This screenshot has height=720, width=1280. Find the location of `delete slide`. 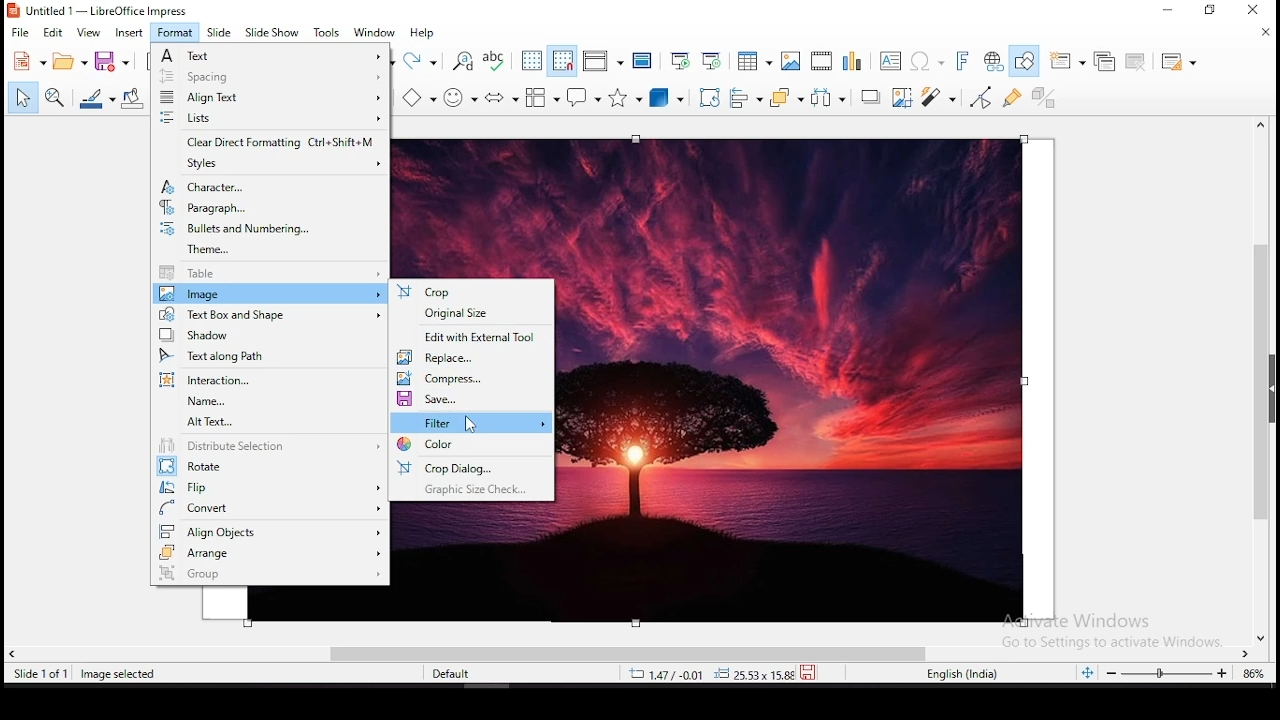

delete slide is located at coordinates (1136, 61).